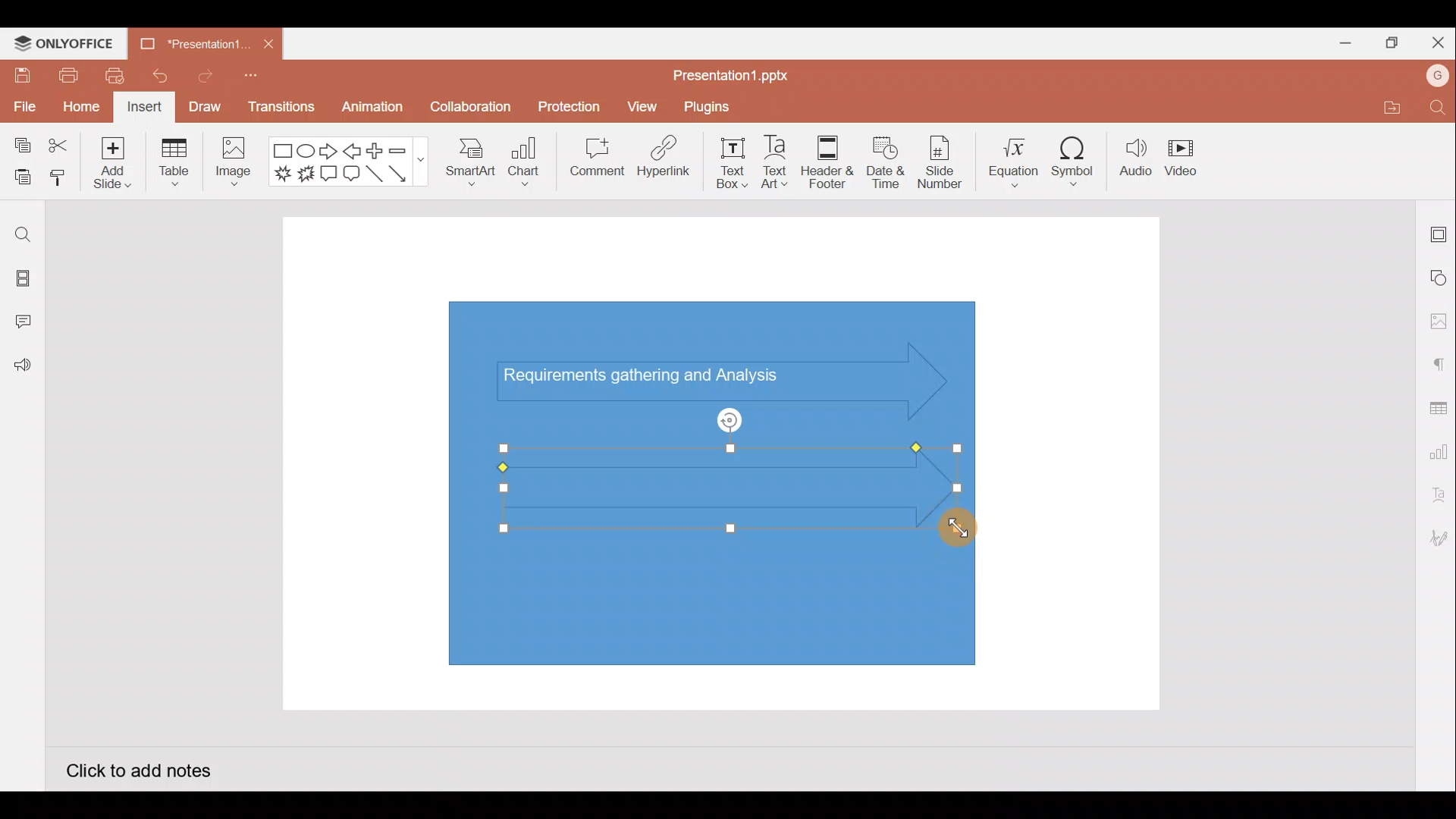 The width and height of the screenshot is (1456, 819). What do you see at coordinates (283, 173) in the screenshot?
I see `Explosion 1` at bounding box center [283, 173].